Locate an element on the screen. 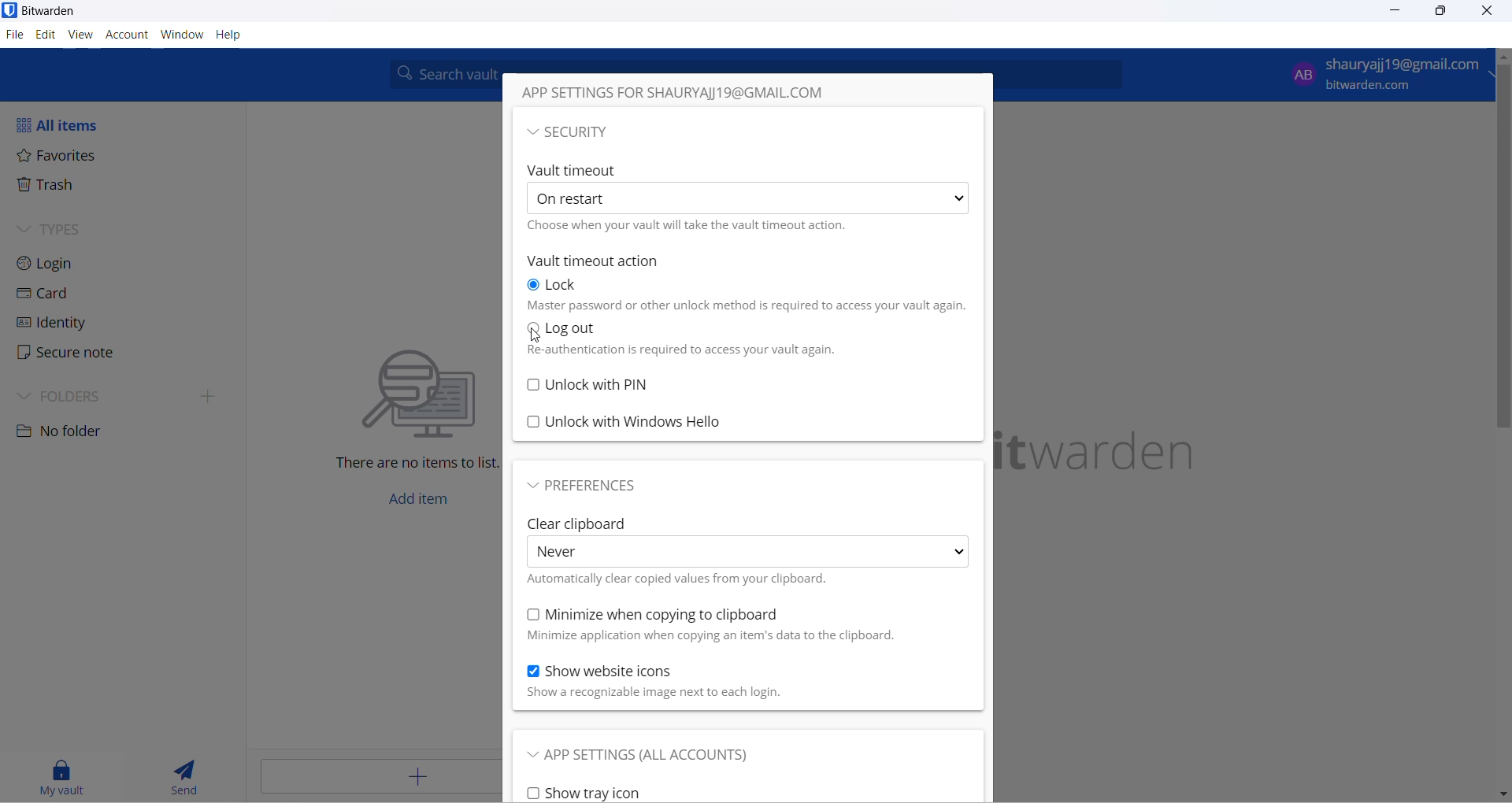  window is located at coordinates (180, 35).